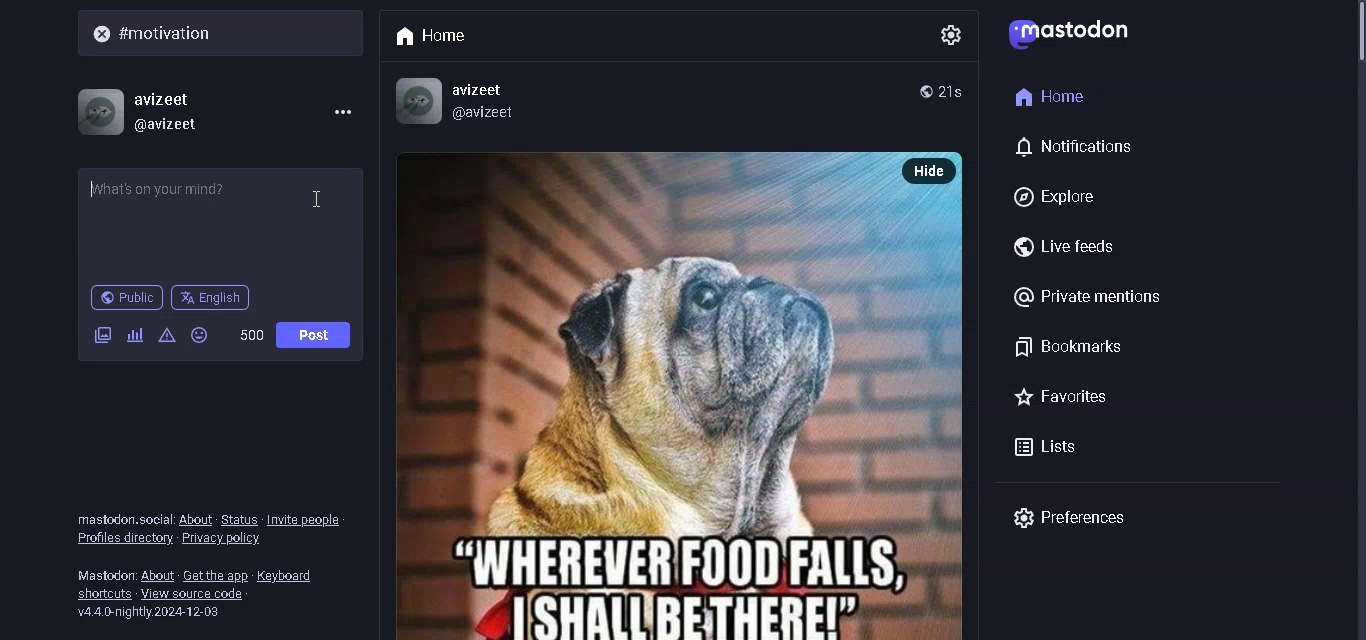 Image resolution: width=1366 pixels, height=640 pixels. I want to click on add image, so click(103, 334).